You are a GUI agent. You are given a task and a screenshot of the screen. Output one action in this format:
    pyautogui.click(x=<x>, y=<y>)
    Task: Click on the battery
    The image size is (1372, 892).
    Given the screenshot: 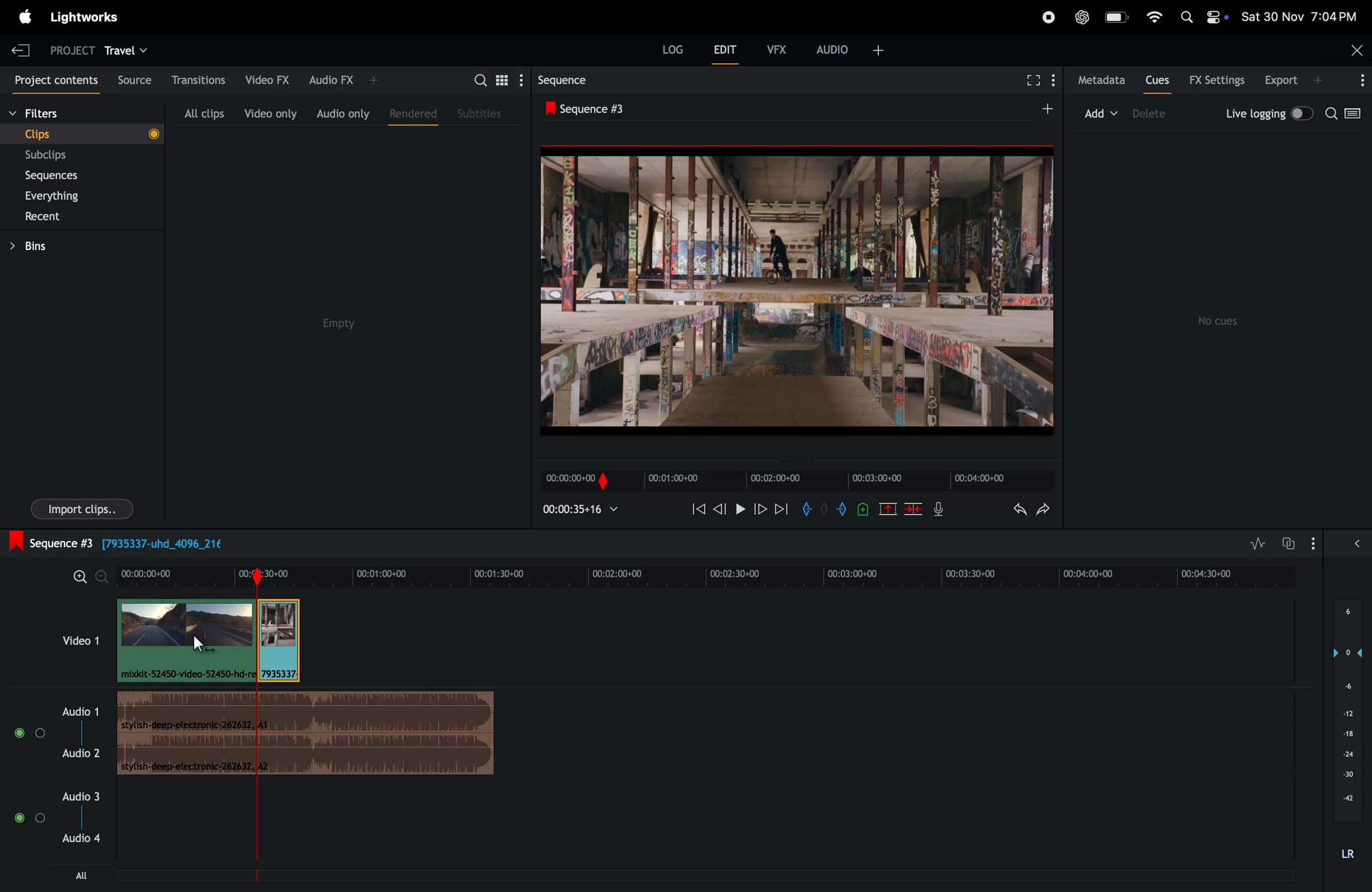 What is the action you would take?
    pyautogui.click(x=1117, y=18)
    